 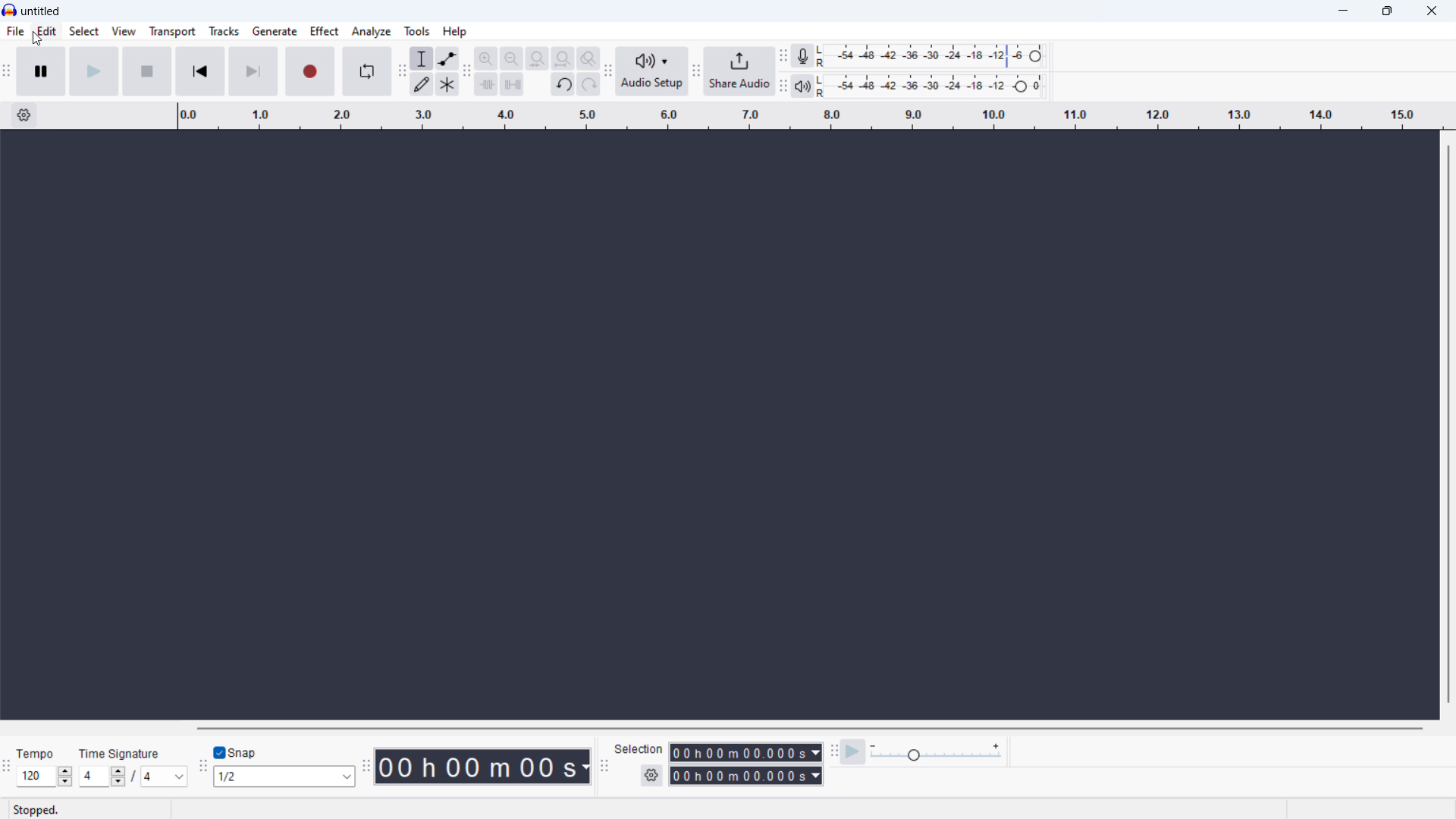 I want to click on Status: stopped, so click(x=38, y=809).